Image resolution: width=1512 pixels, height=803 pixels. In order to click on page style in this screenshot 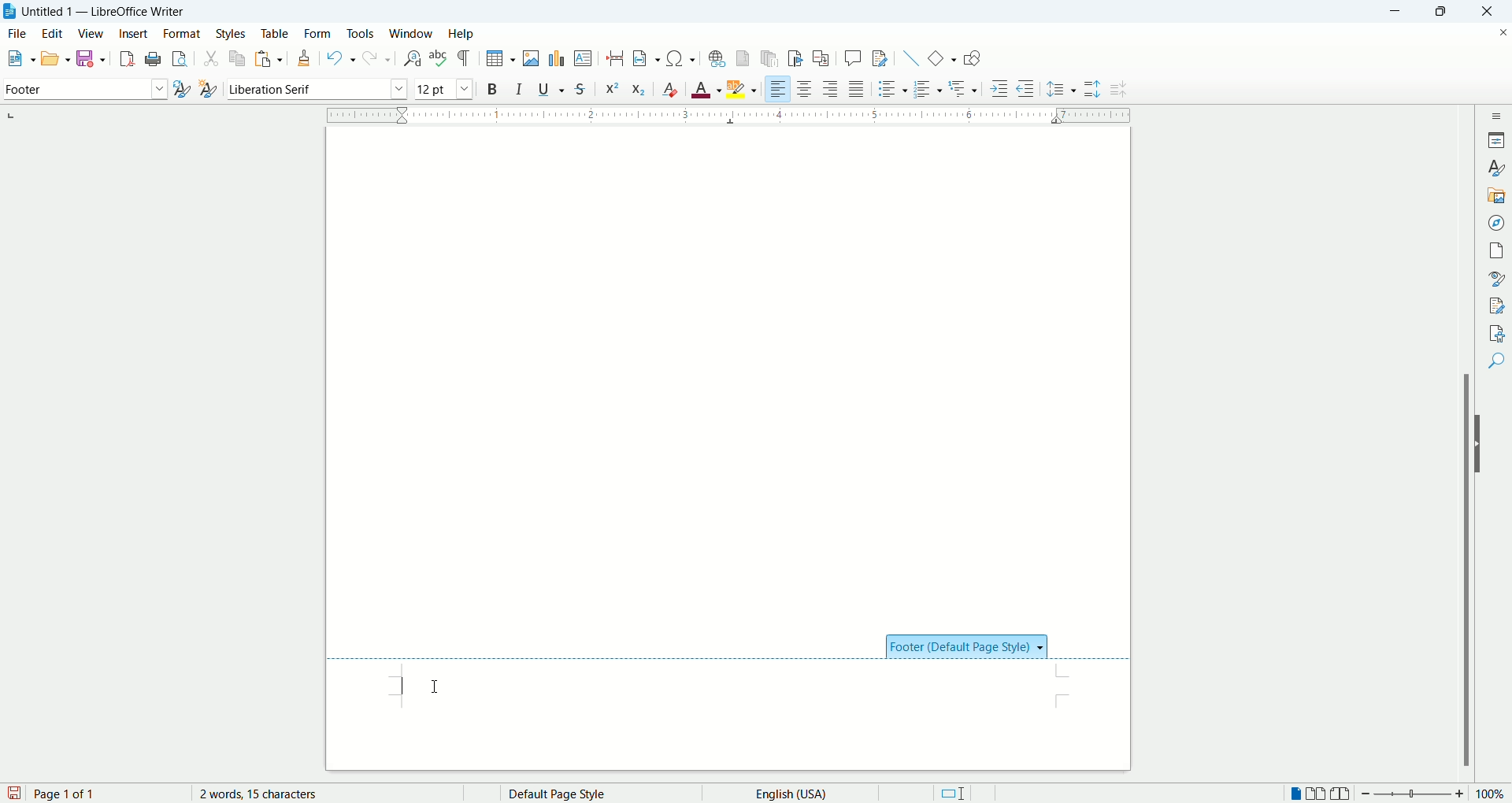, I will do `click(587, 794)`.